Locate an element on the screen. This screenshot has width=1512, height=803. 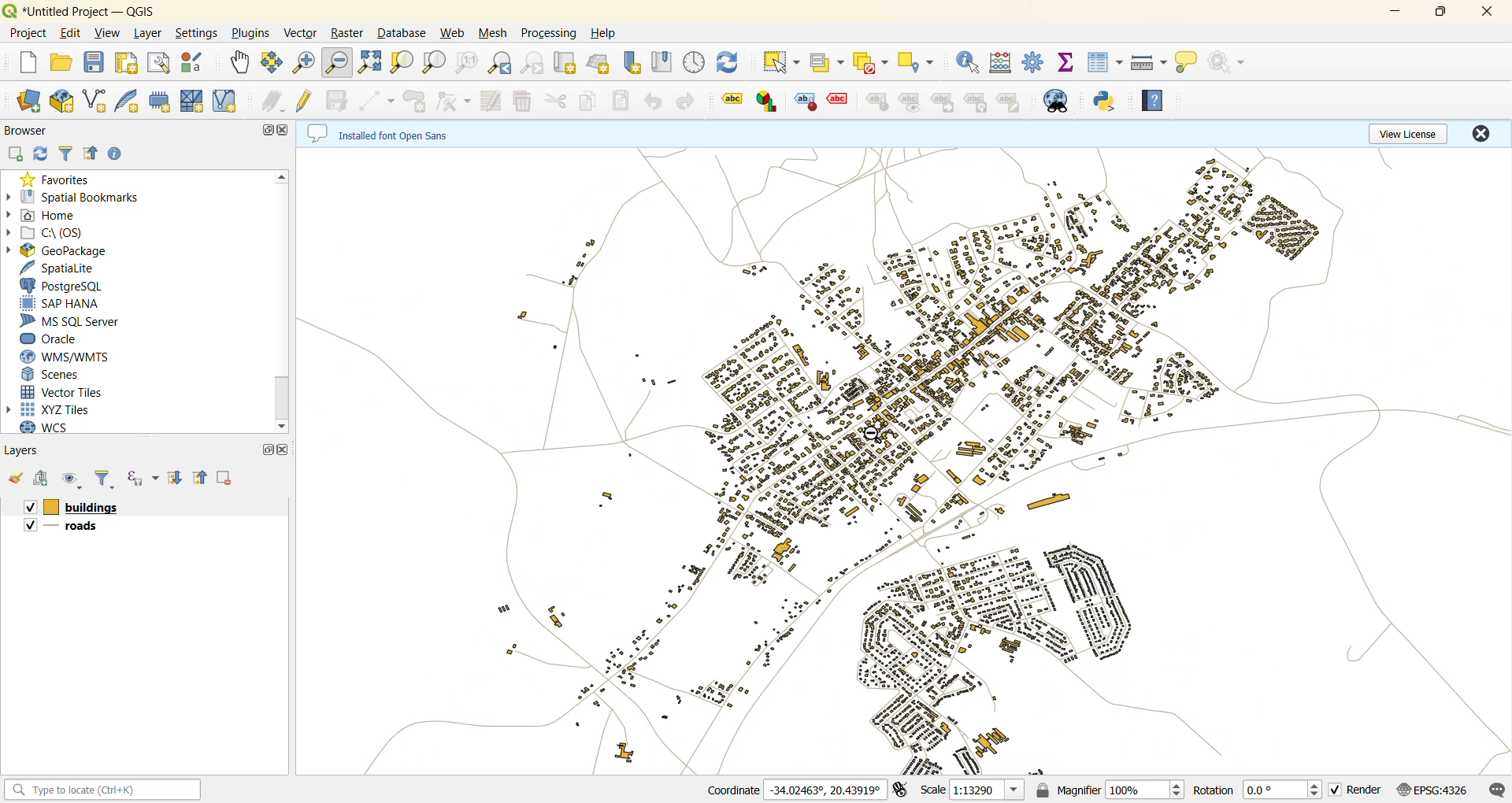
new 3d map is located at coordinates (601, 65).